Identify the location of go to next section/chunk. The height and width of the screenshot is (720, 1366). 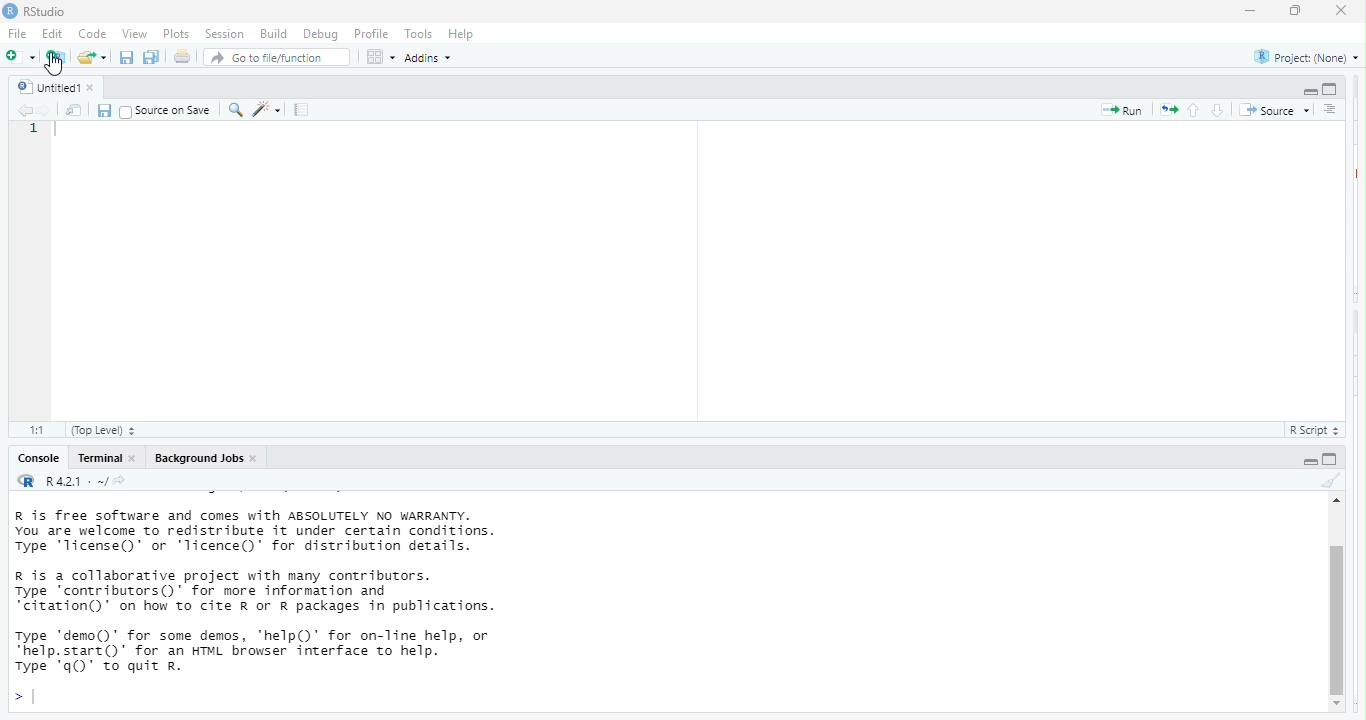
(1216, 111).